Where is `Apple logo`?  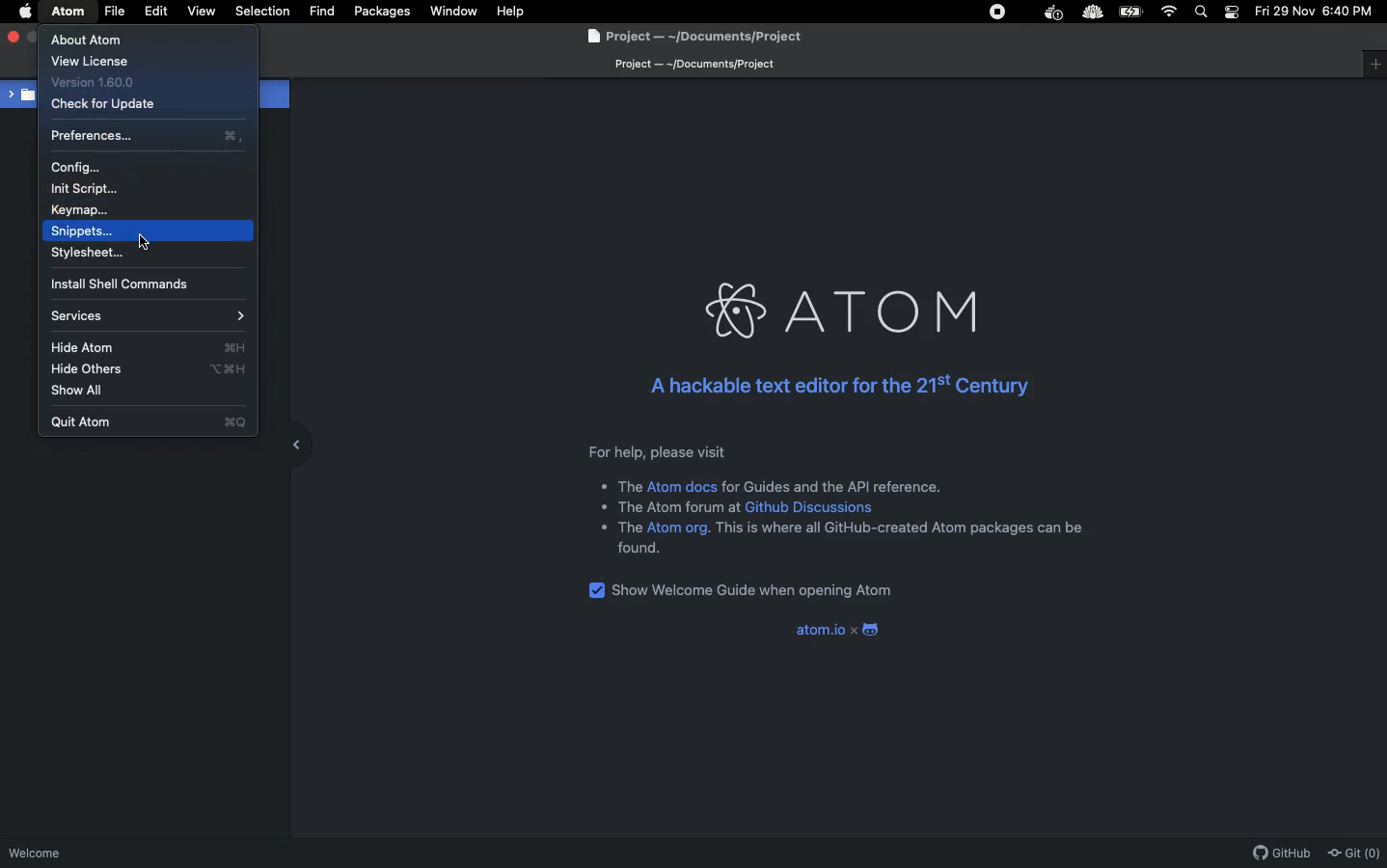
Apple logo is located at coordinates (28, 12).